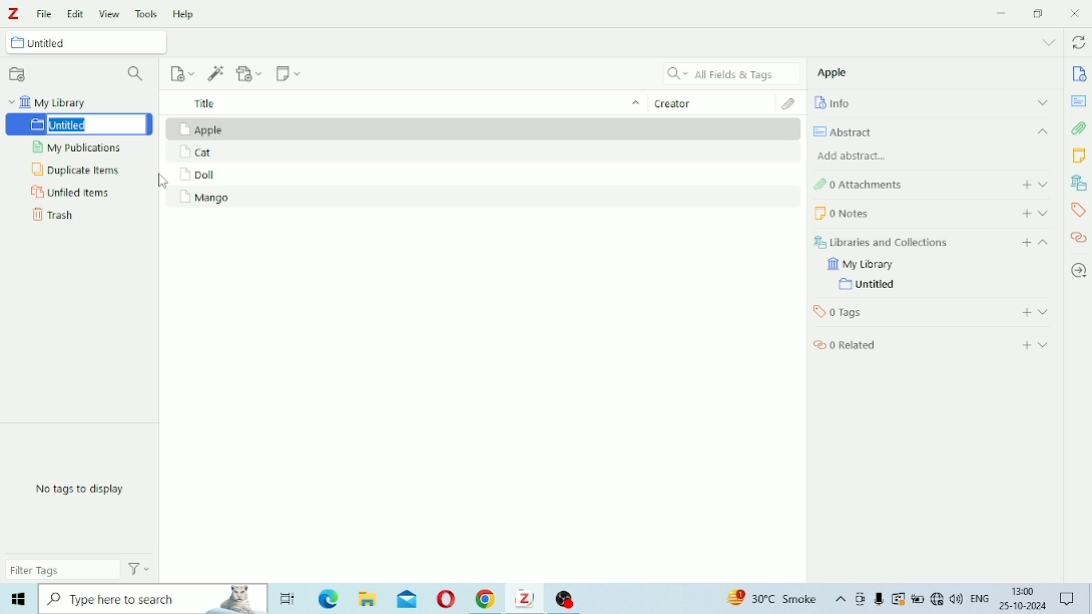 This screenshot has width=1092, height=614. What do you see at coordinates (1043, 312) in the screenshot?
I see `Expand section` at bounding box center [1043, 312].